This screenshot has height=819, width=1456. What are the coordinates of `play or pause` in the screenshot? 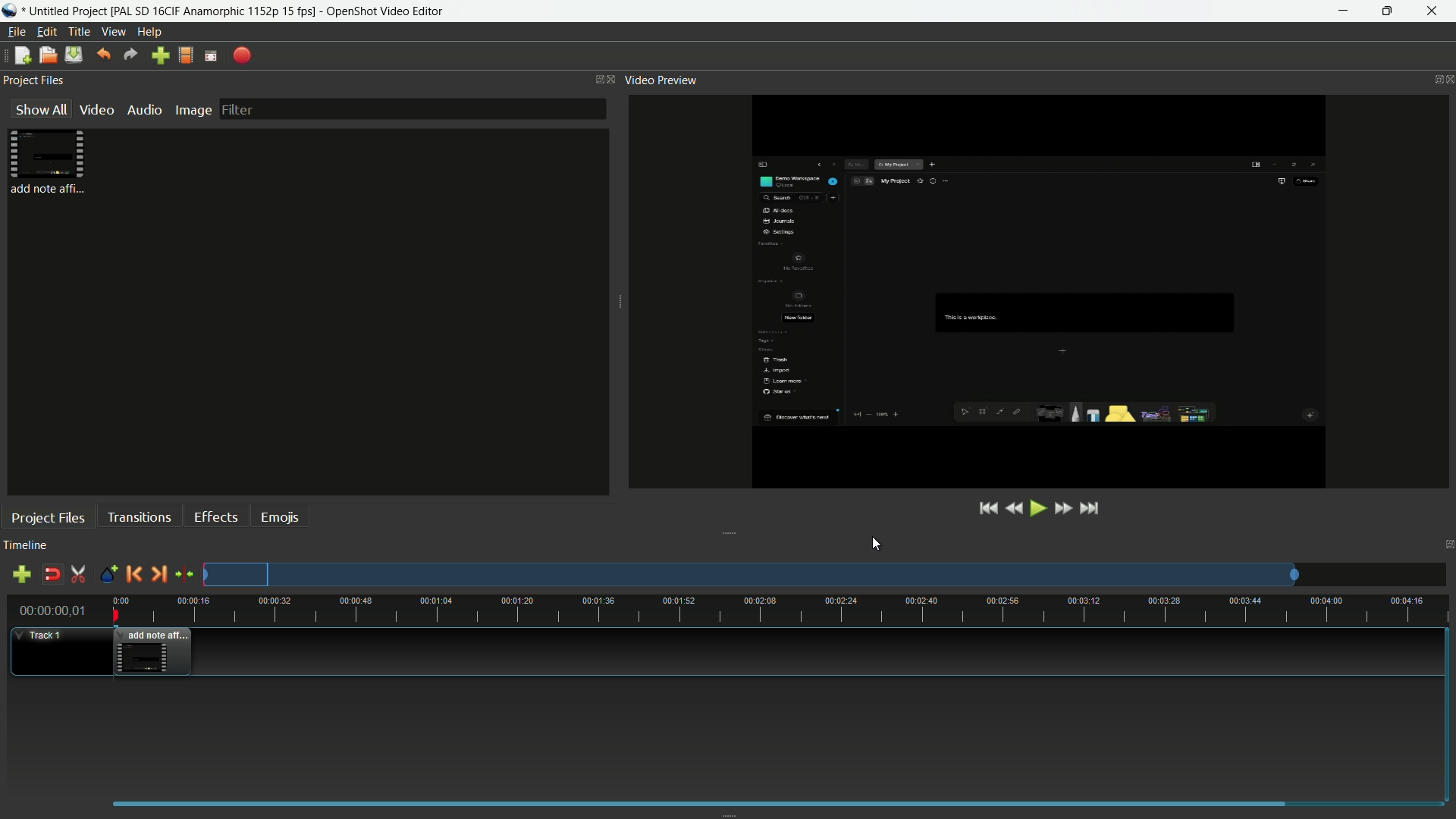 It's located at (1037, 510).